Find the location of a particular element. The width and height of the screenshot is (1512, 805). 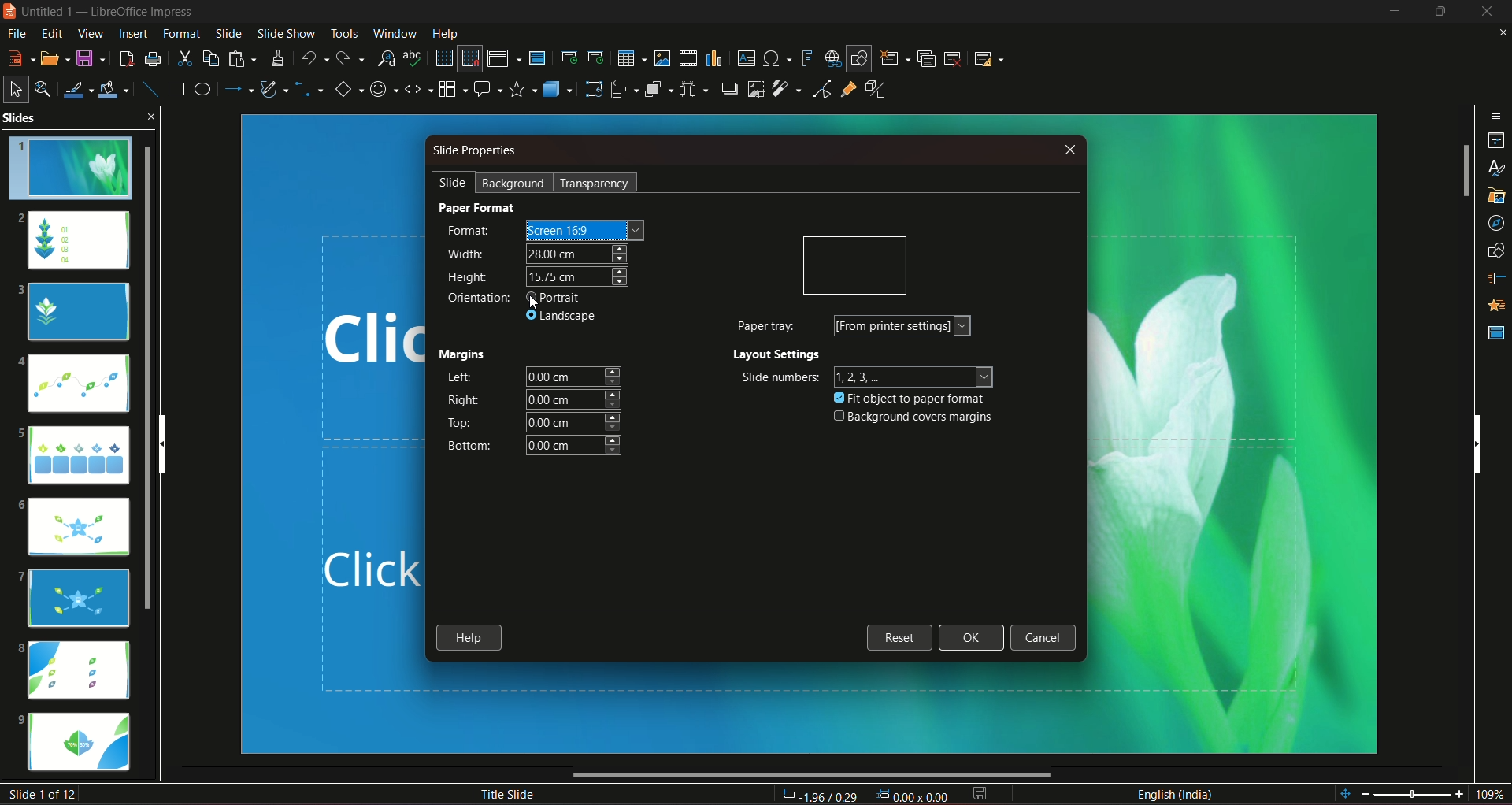

insert audio/video is located at coordinates (689, 59).